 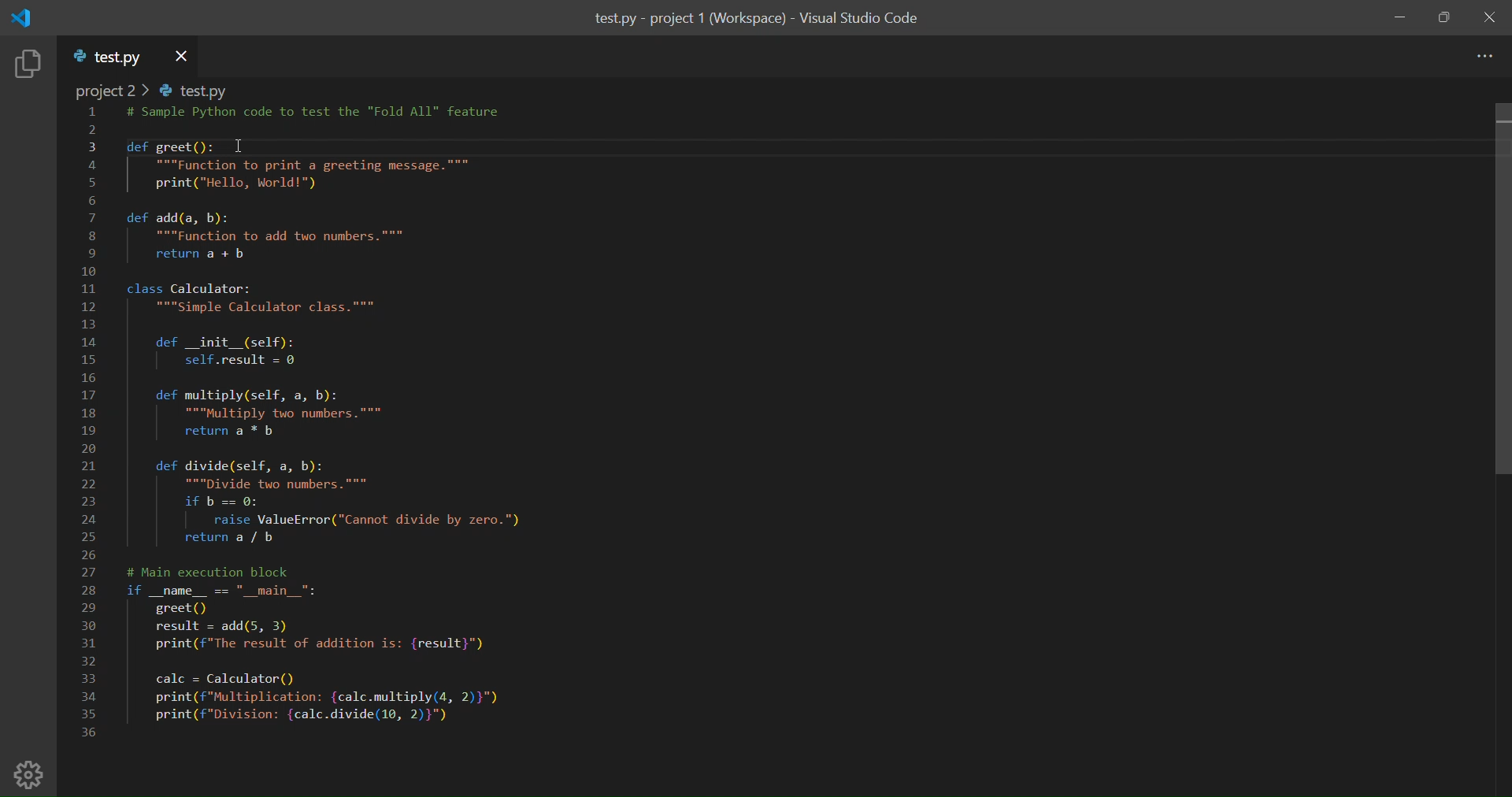 What do you see at coordinates (181, 55) in the screenshot?
I see `close file` at bounding box center [181, 55].